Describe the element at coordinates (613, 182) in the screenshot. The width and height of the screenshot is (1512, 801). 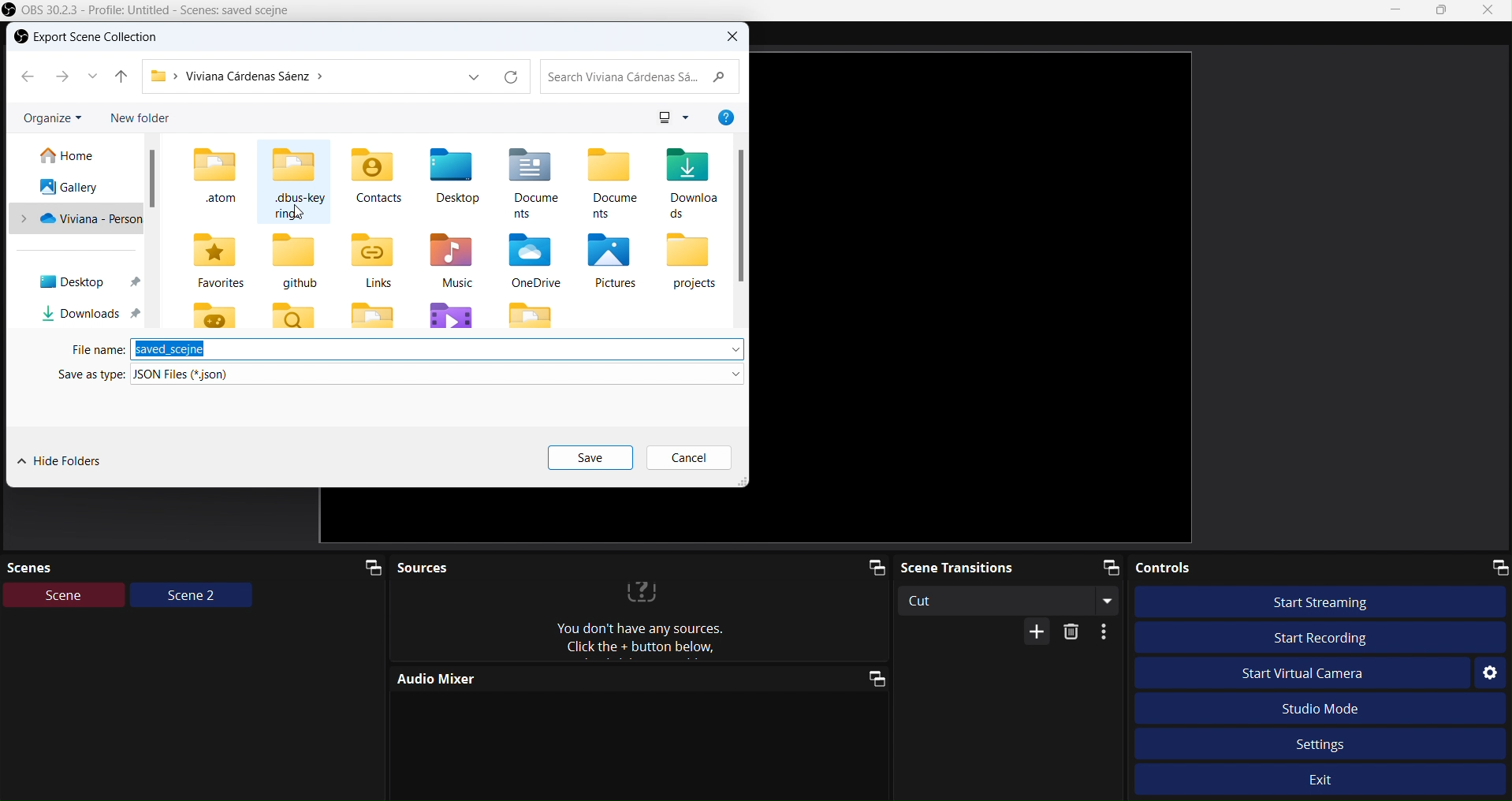
I see `Docume
nts` at that location.